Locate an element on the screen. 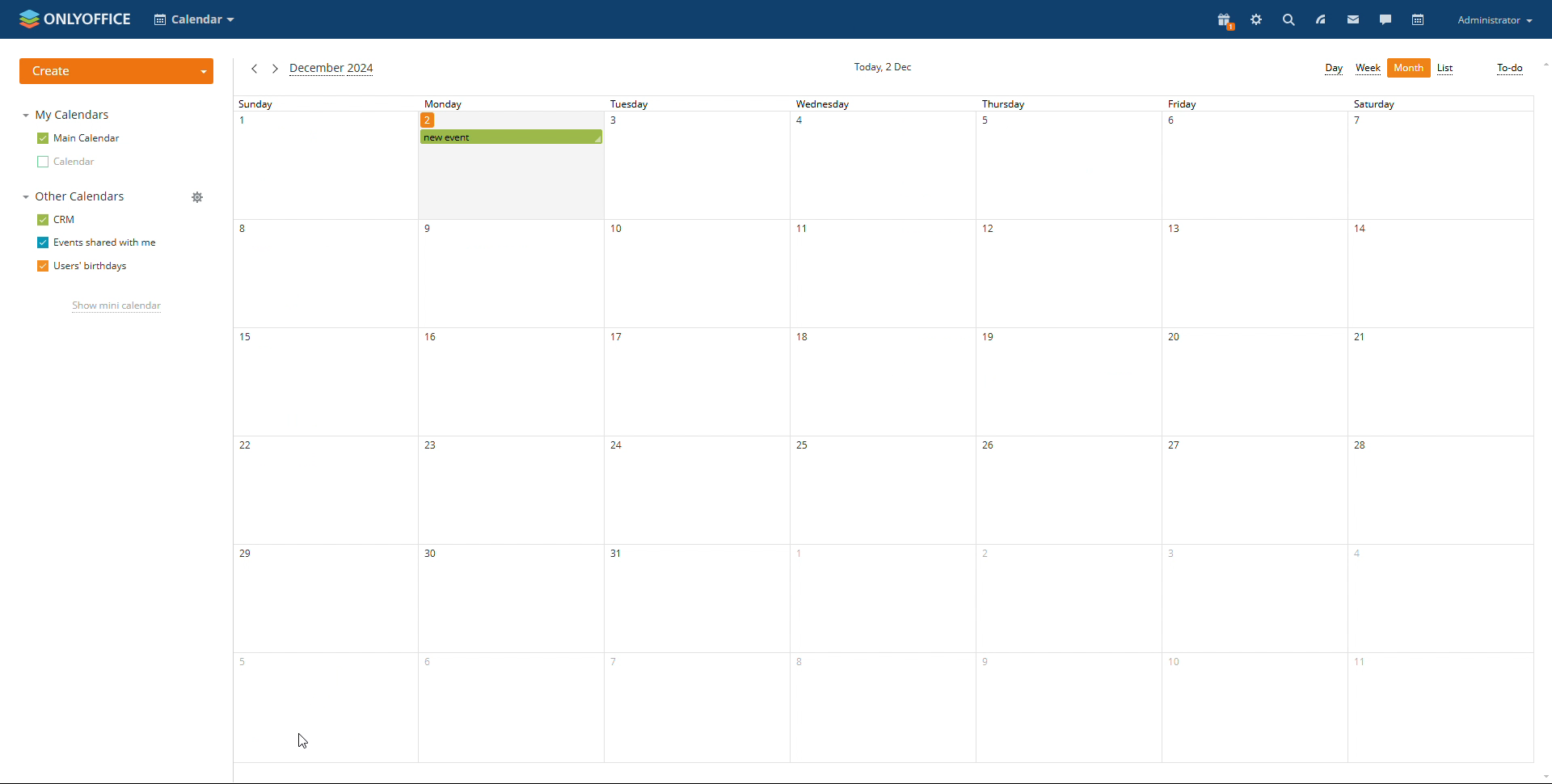 This screenshot has width=1552, height=784. calendar is located at coordinates (1419, 19).